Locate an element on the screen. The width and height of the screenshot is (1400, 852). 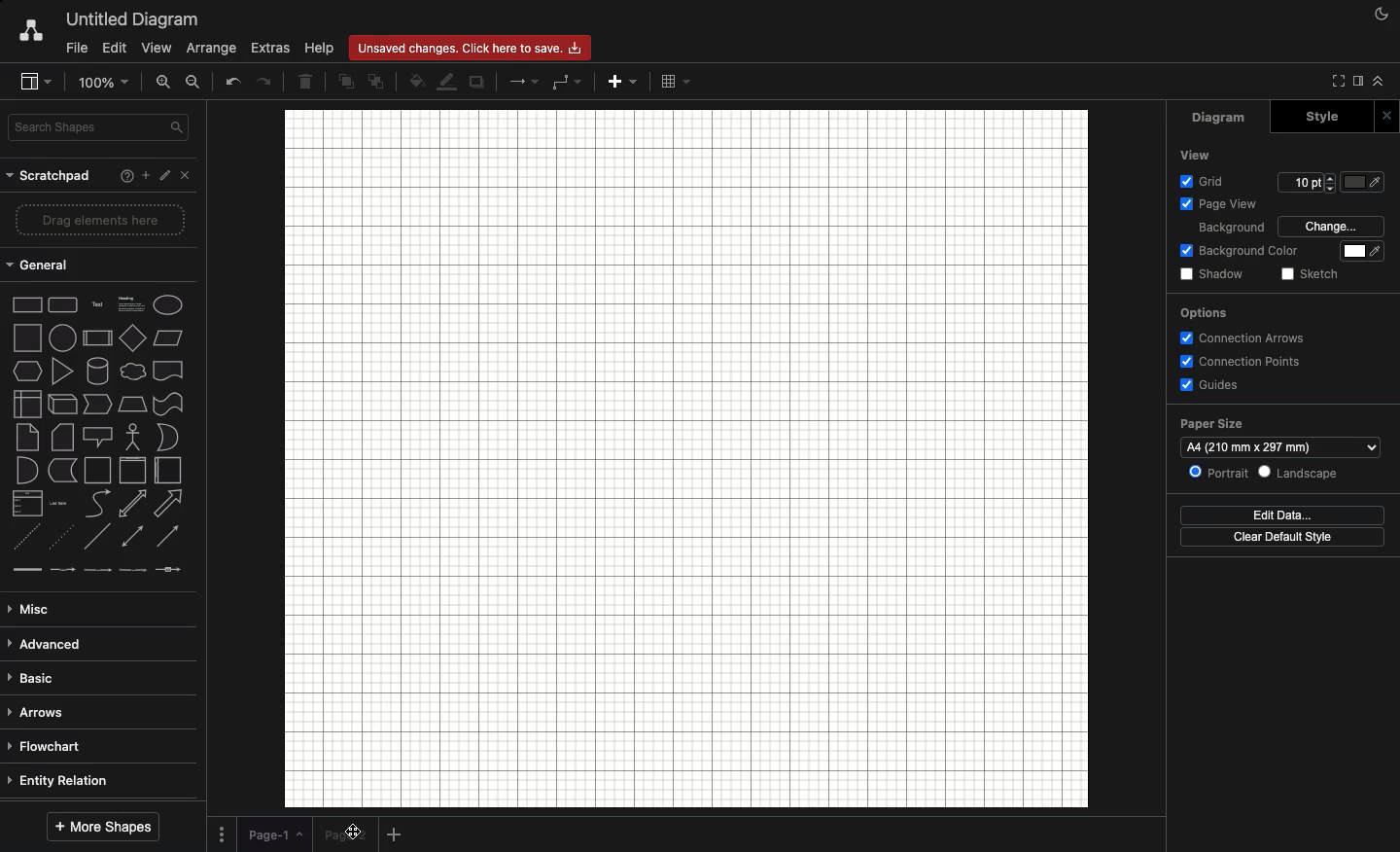
Background color is located at coordinates (1242, 250).